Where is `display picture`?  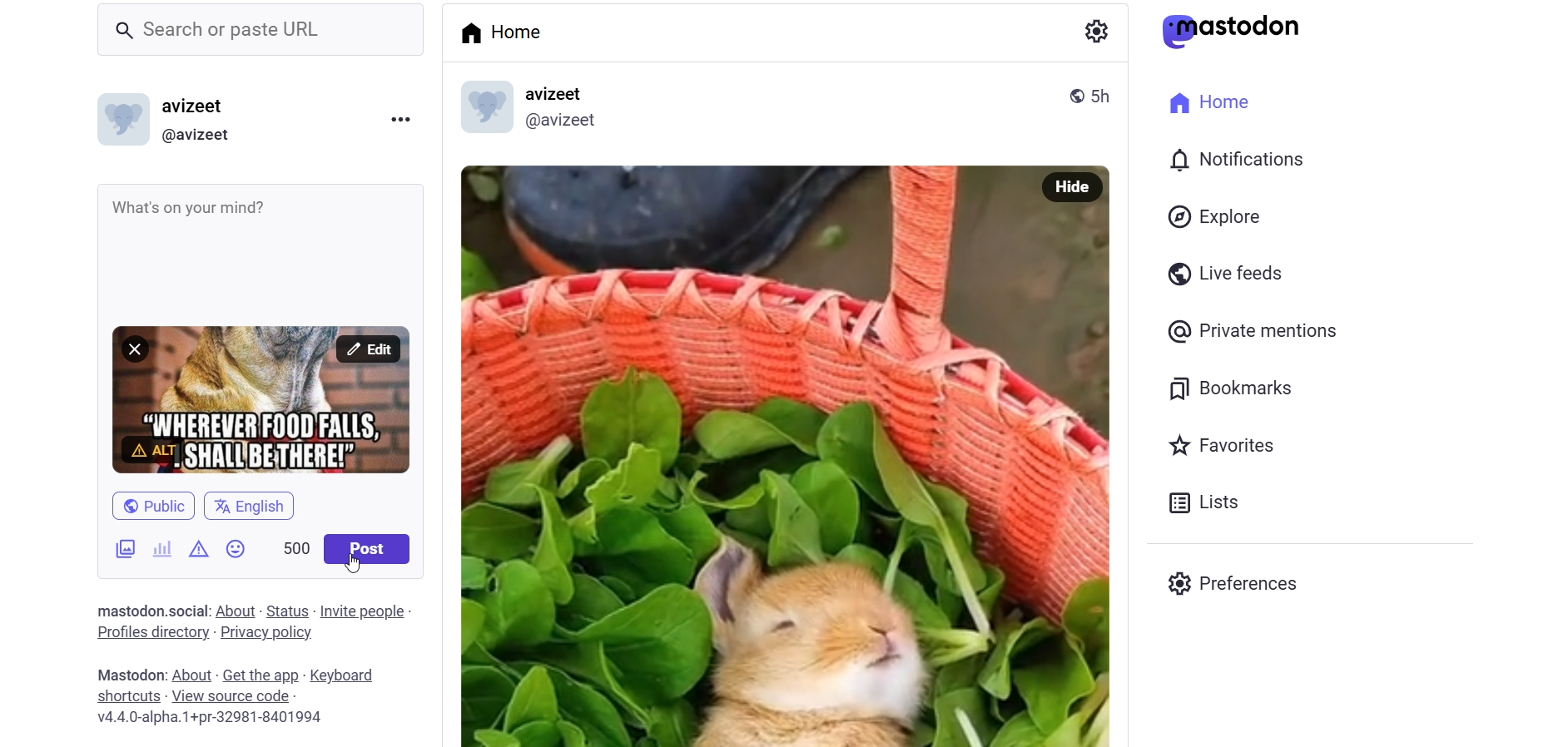
display picture is located at coordinates (483, 108).